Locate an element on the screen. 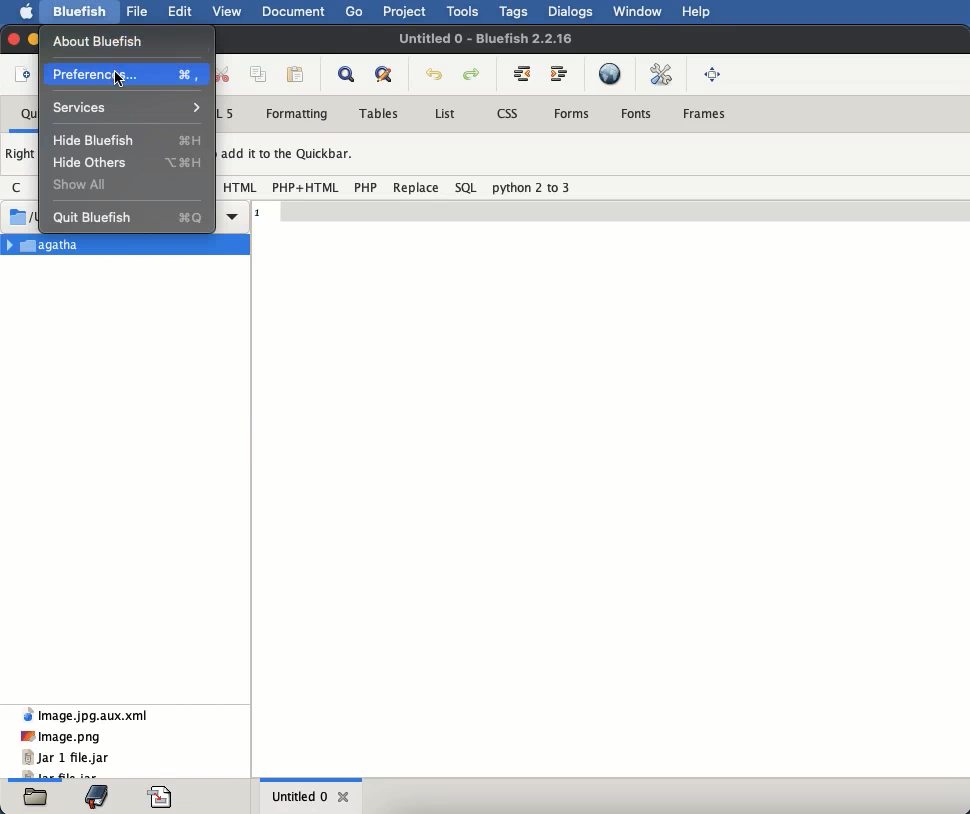 This screenshot has height=814, width=970. users Agatha is located at coordinates (24, 216).